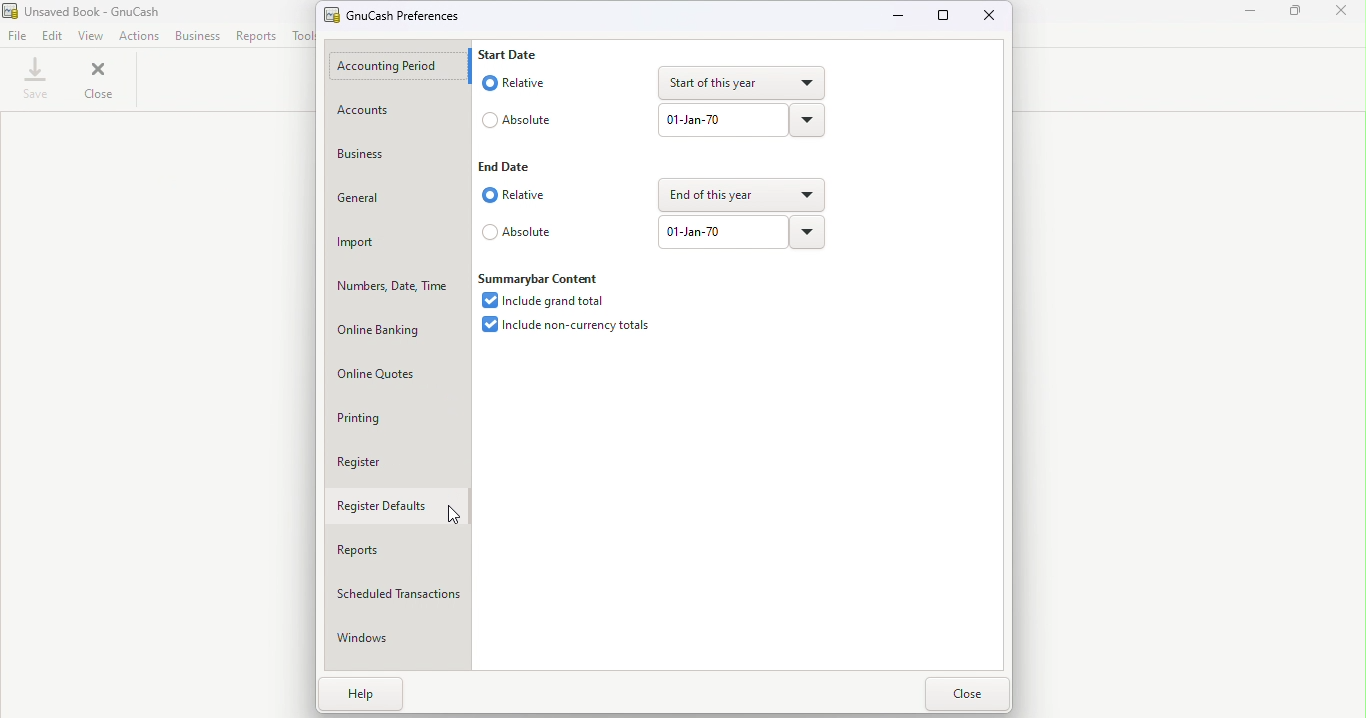 This screenshot has width=1366, height=718. What do you see at coordinates (397, 462) in the screenshot?
I see `Register` at bounding box center [397, 462].